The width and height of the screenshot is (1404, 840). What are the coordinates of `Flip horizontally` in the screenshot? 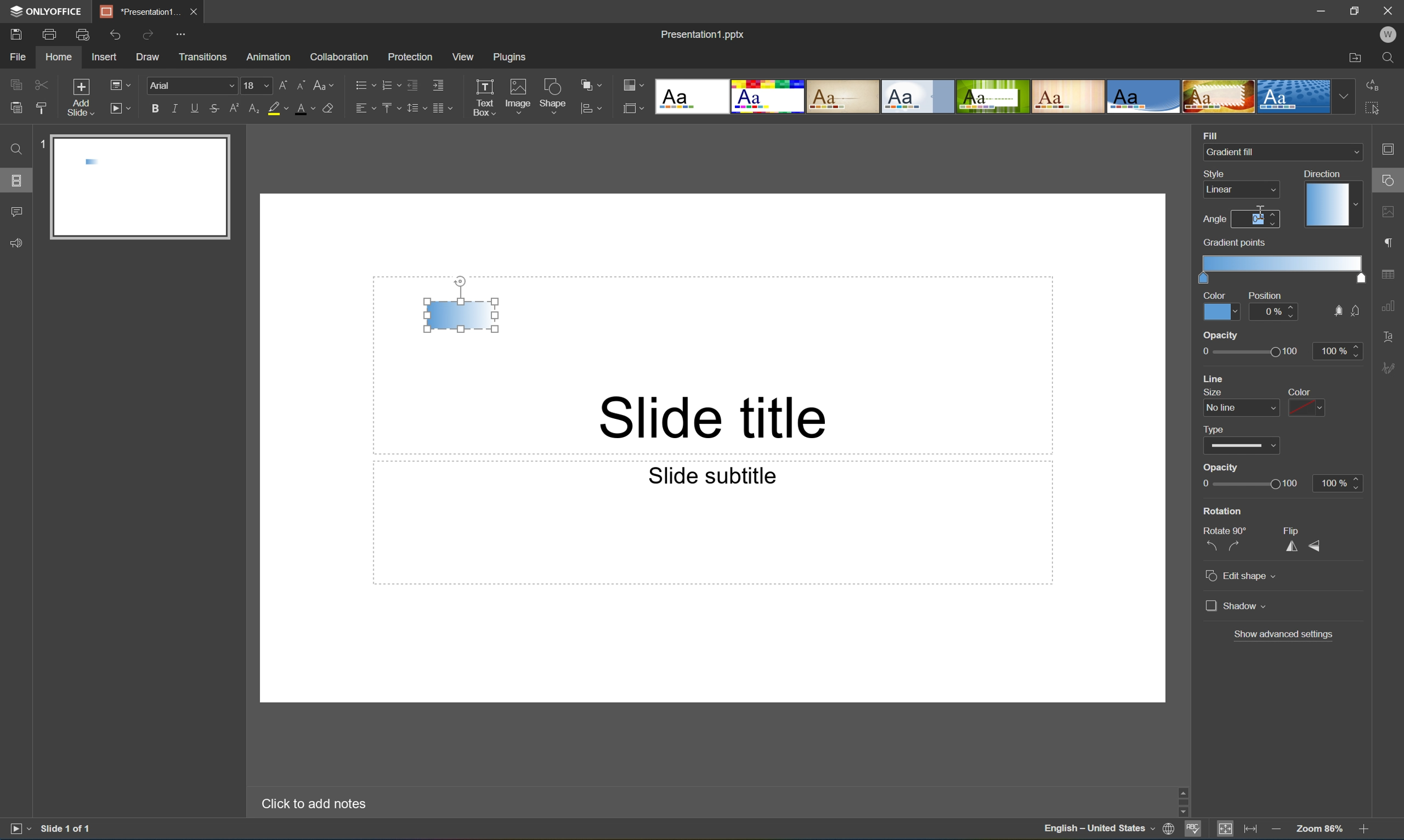 It's located at (1292, 548).